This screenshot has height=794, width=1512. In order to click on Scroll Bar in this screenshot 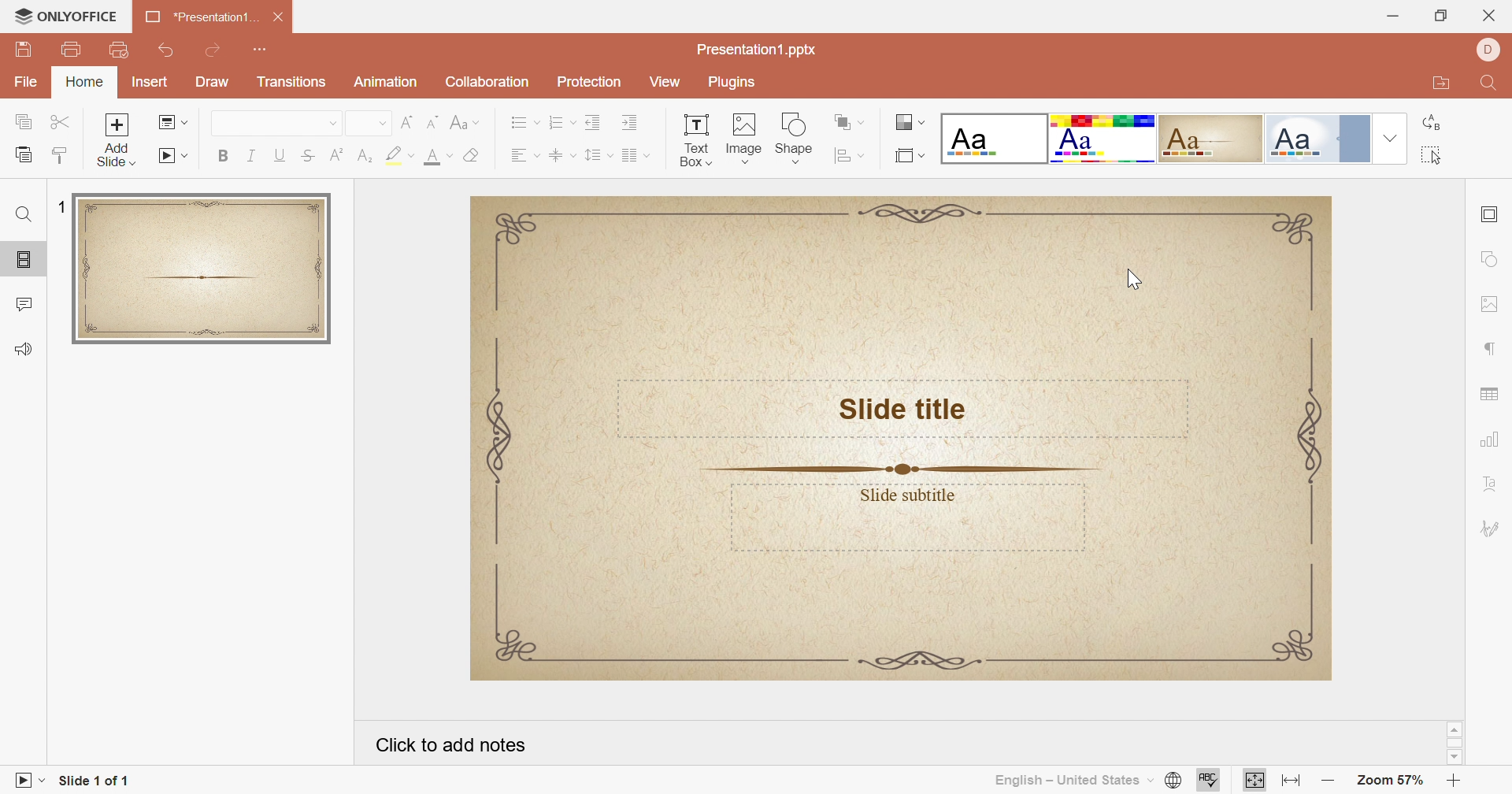, I will do `click(1453, 744)`.